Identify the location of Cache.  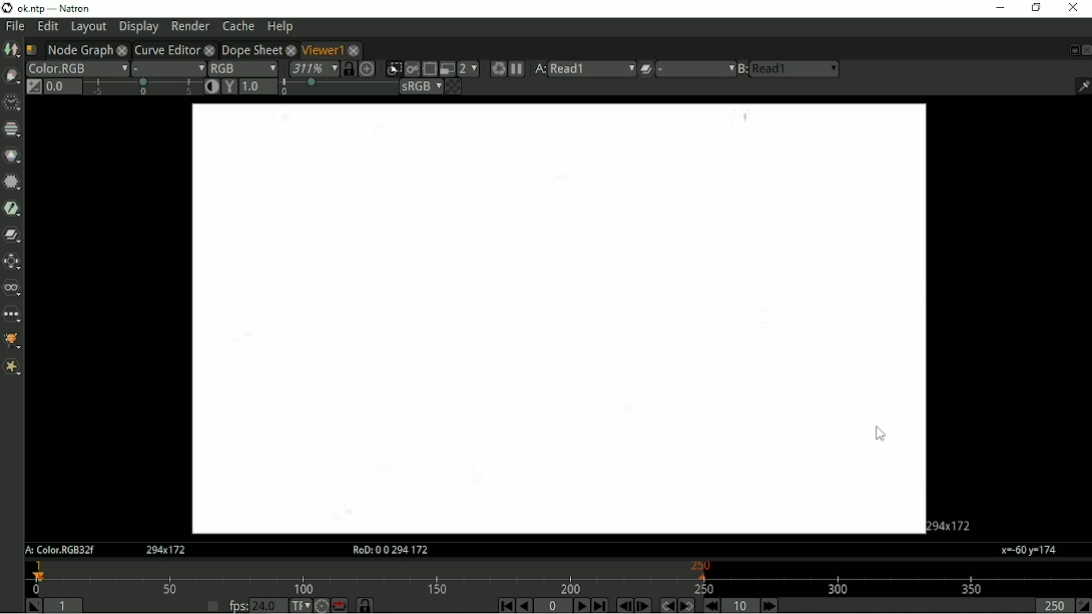
(239, 26).